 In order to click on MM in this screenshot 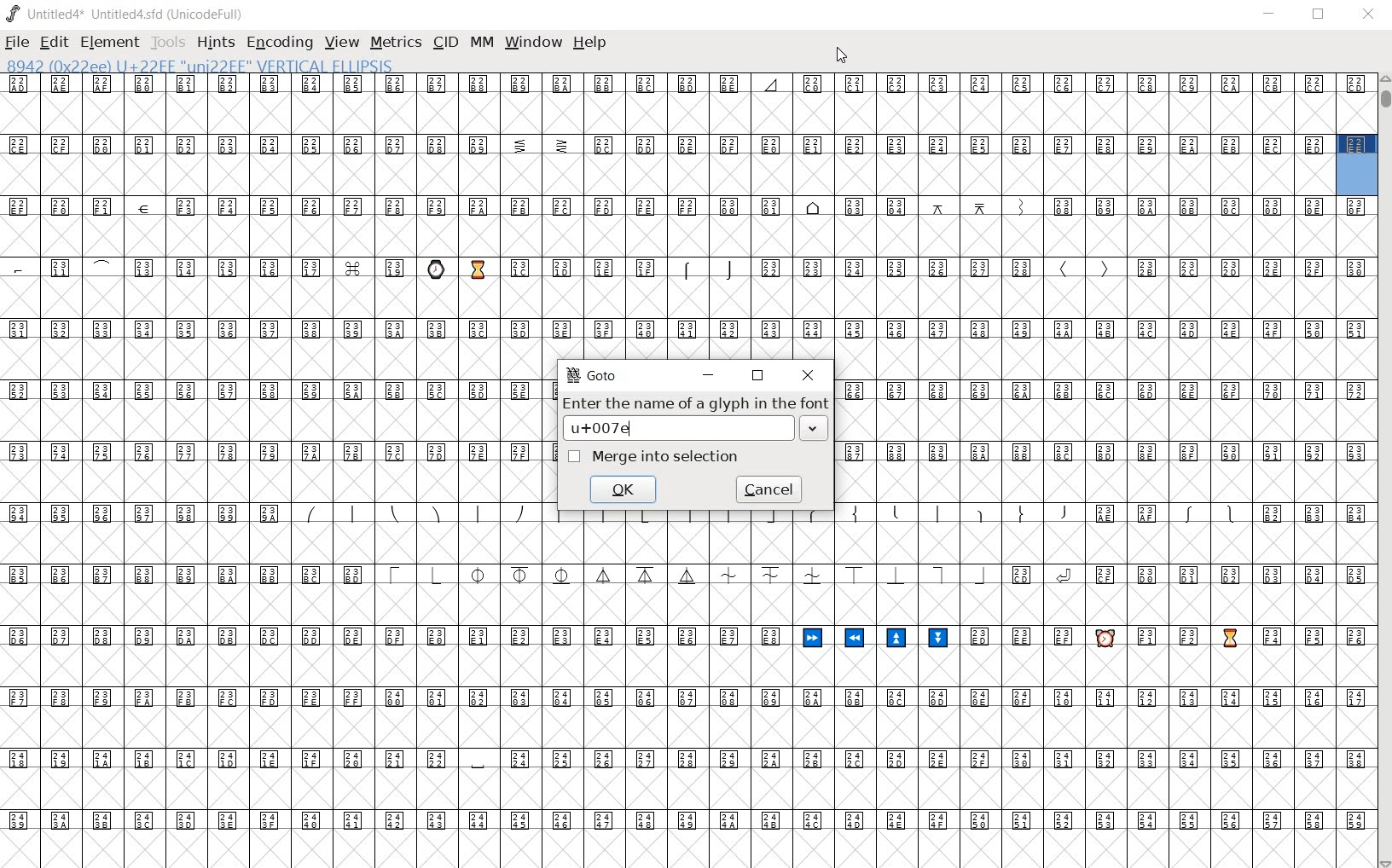, I will do `click(481, 45)`.